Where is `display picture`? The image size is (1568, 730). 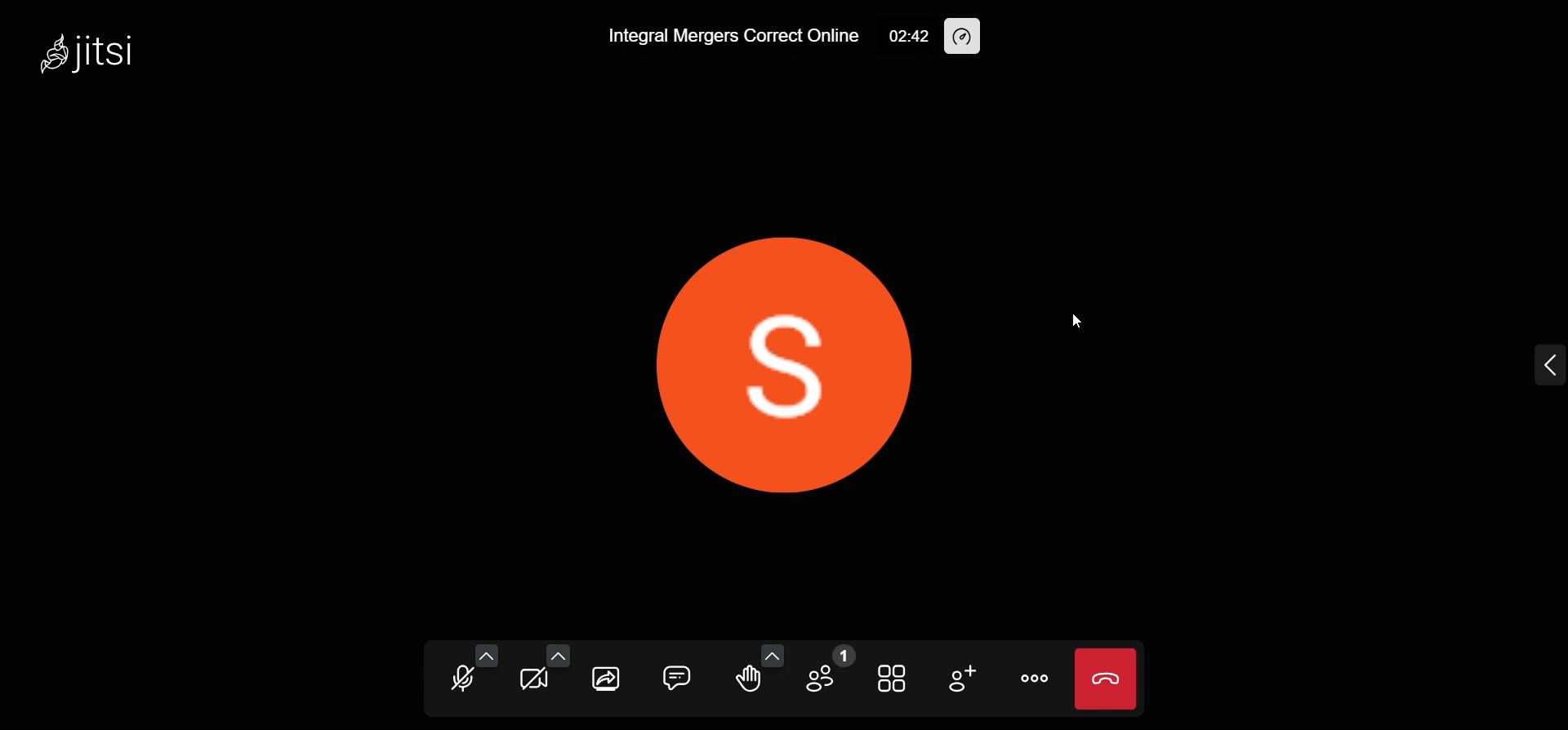 display picture is located at coordinates (781, 351).